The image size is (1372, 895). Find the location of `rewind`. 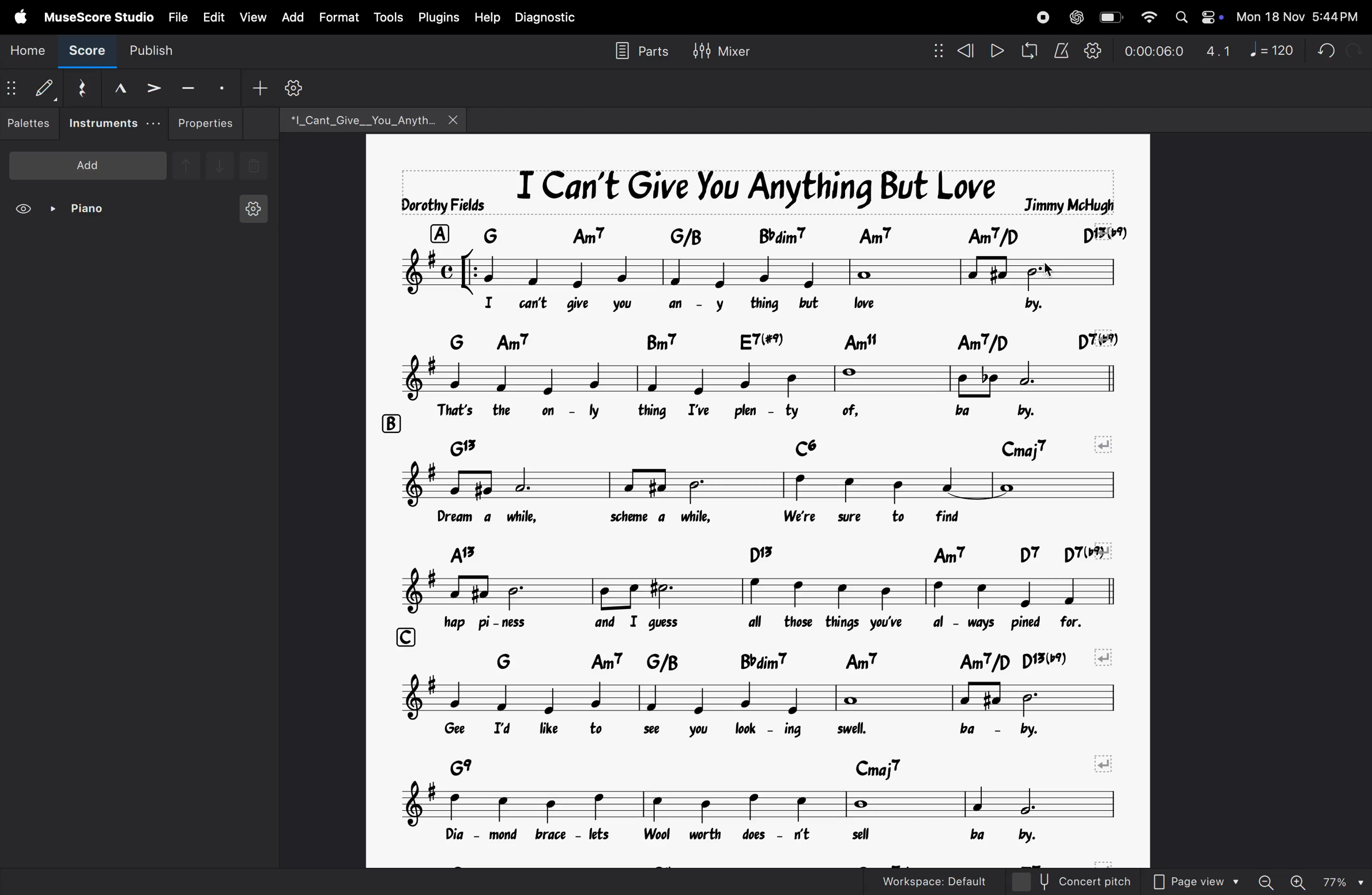

rewind is located at coordinates (955, 51).